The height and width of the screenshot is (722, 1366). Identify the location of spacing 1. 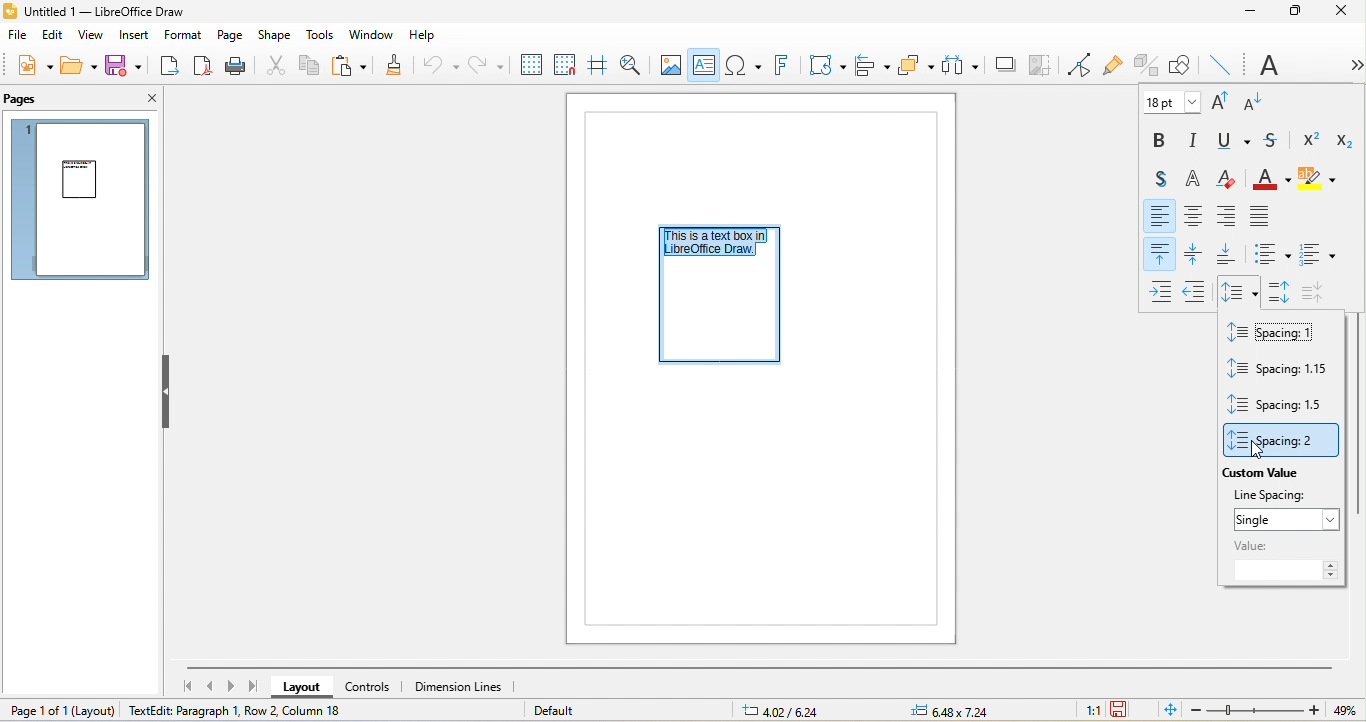
(1276, 335).